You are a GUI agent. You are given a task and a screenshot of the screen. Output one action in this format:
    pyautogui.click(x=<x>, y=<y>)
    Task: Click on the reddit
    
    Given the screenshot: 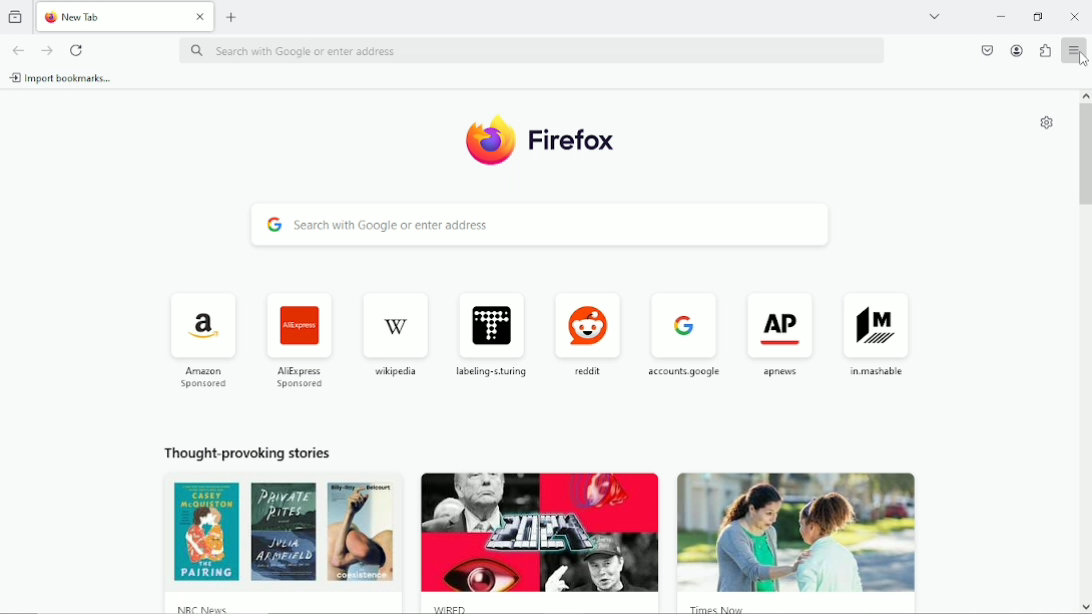 What is the action you would take?
    pyautogui.click(x=589, y=330)
    